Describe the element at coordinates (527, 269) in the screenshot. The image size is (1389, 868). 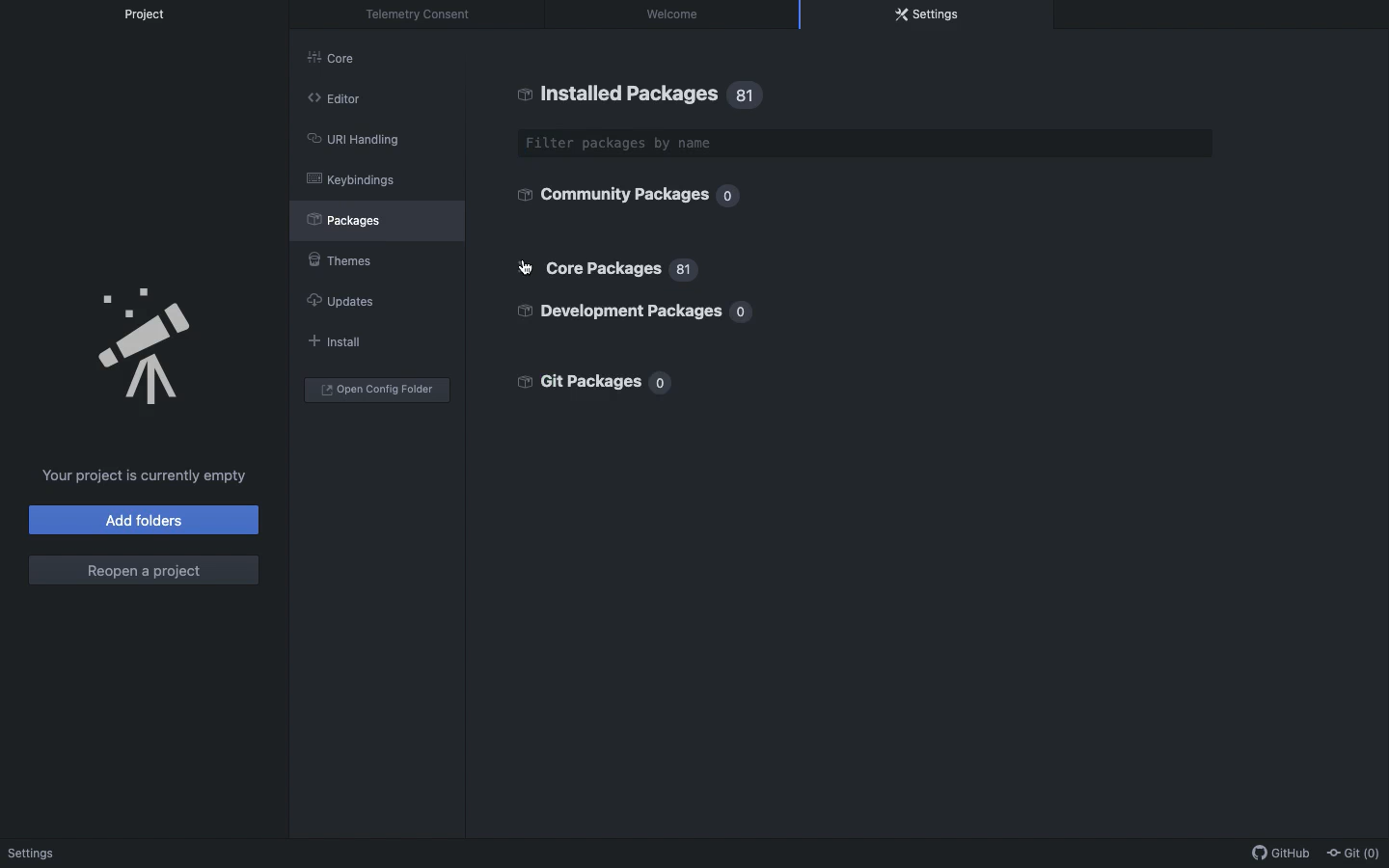
I see `Toggle` at that location.